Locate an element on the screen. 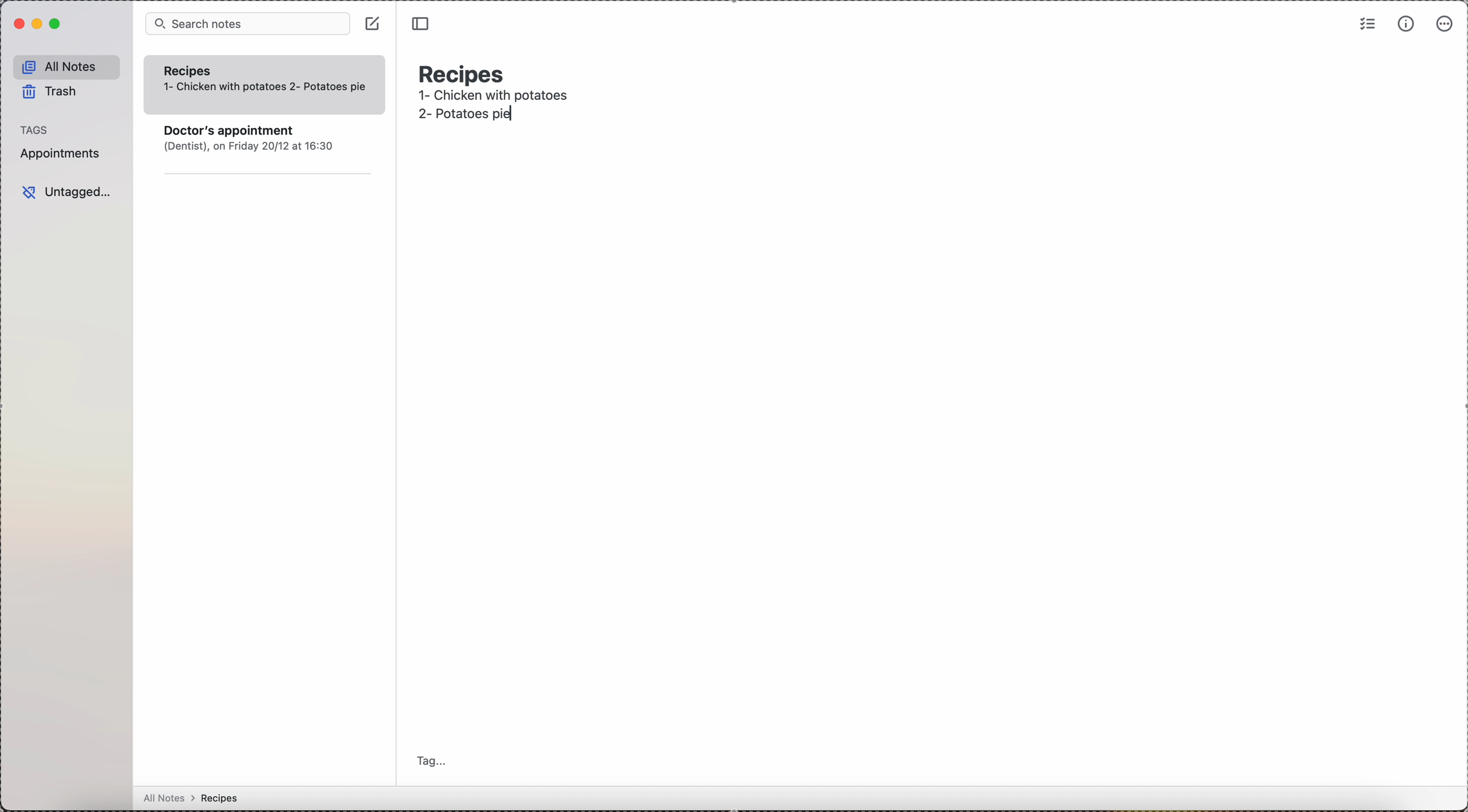 The height and width of the screenshot is (812, 1468). 1- Chicken with potatoes is located at coordinates (499, 95).